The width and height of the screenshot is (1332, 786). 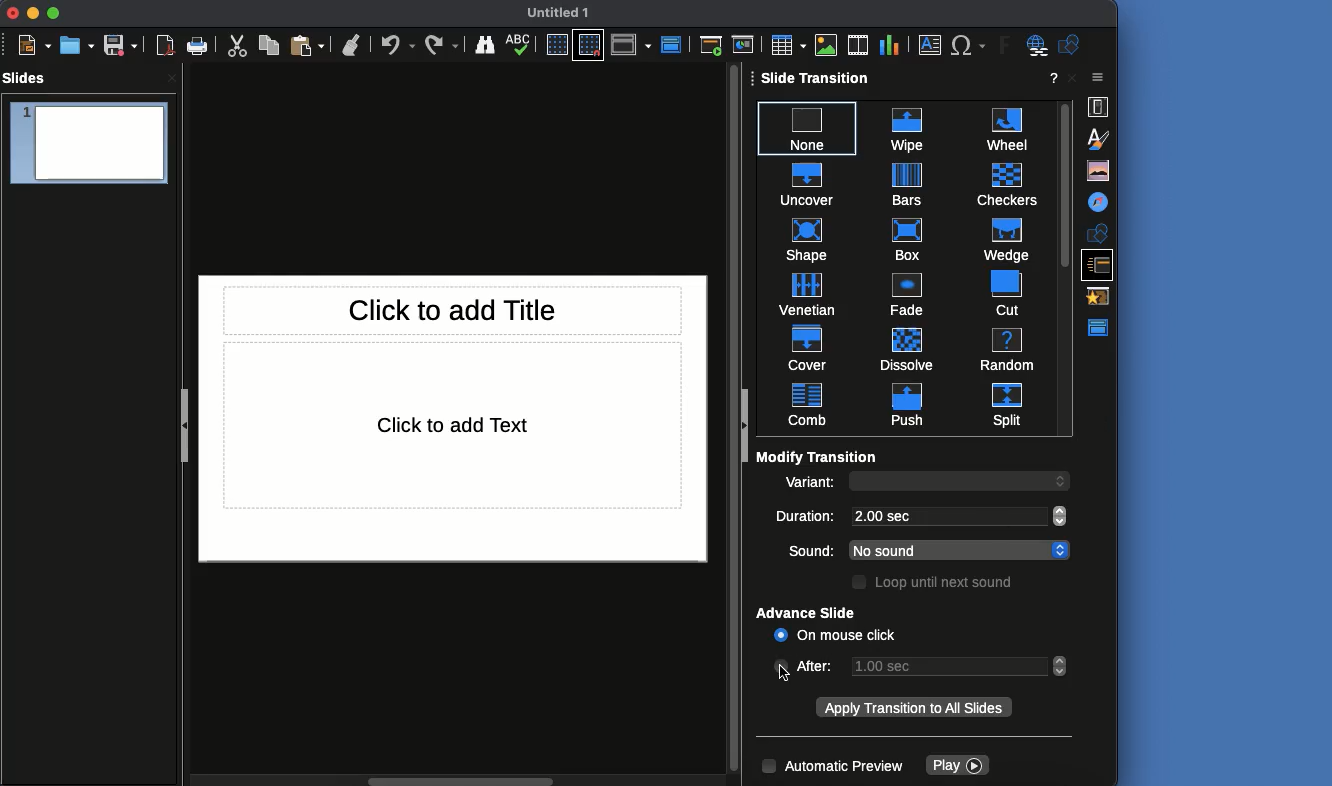 I want to click on input variant, so click(x=946, y=483).